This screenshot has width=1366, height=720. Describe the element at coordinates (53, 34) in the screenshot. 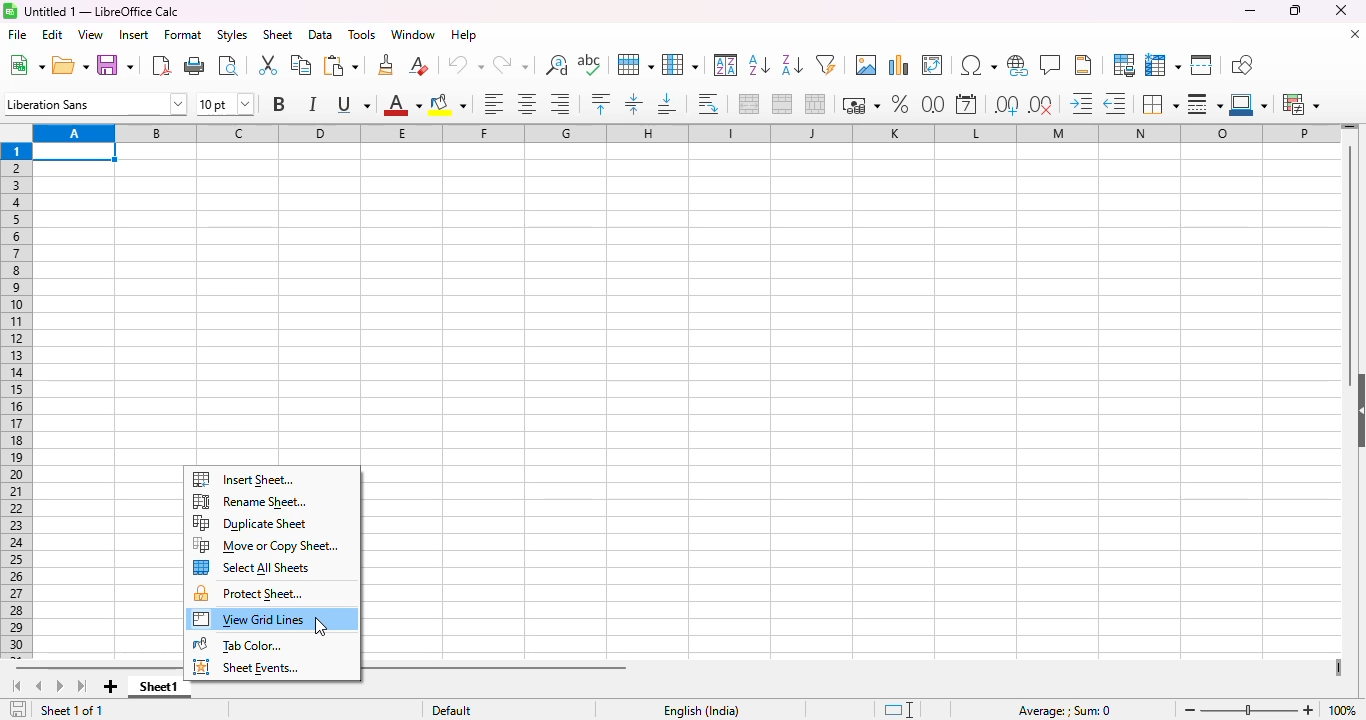

I see `edit` at that location.